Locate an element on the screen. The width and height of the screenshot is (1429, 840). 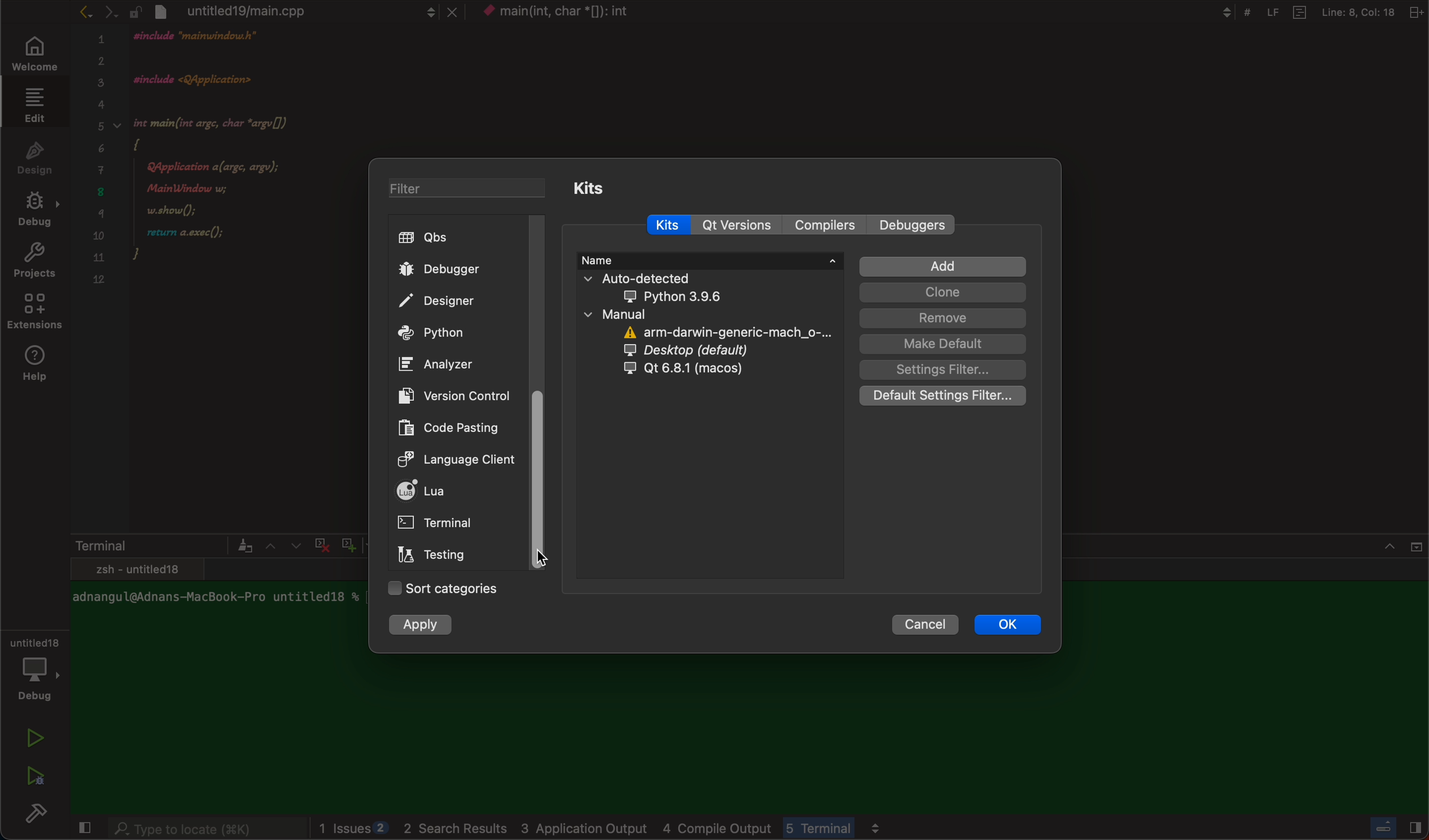
run and debug is located at coordinates (34, 775).